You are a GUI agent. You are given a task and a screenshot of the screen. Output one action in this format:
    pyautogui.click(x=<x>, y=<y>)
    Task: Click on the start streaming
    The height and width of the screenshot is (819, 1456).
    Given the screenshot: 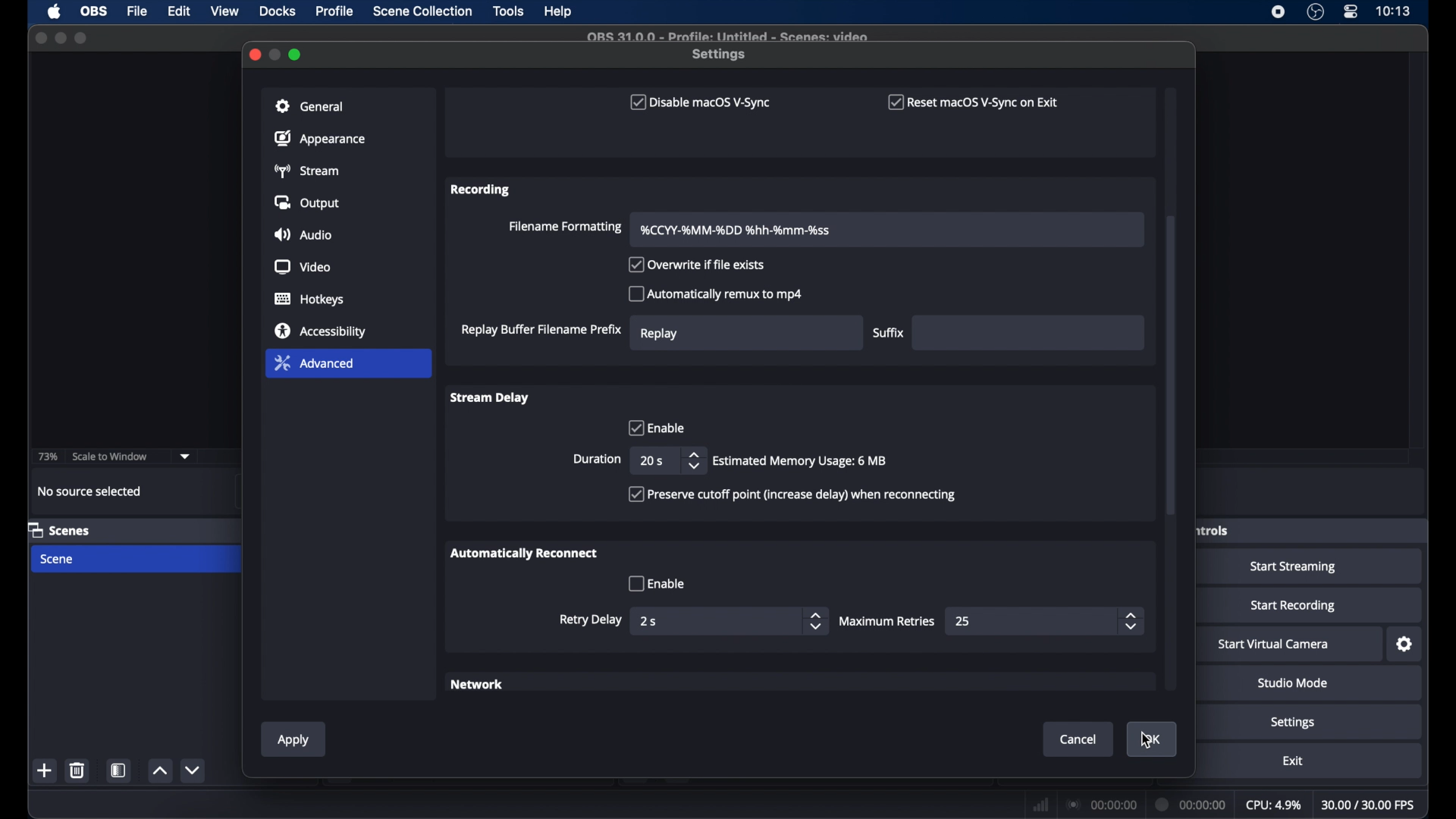 What is the action you would take?
    pyautogui.click(x=1294, y=567)
    